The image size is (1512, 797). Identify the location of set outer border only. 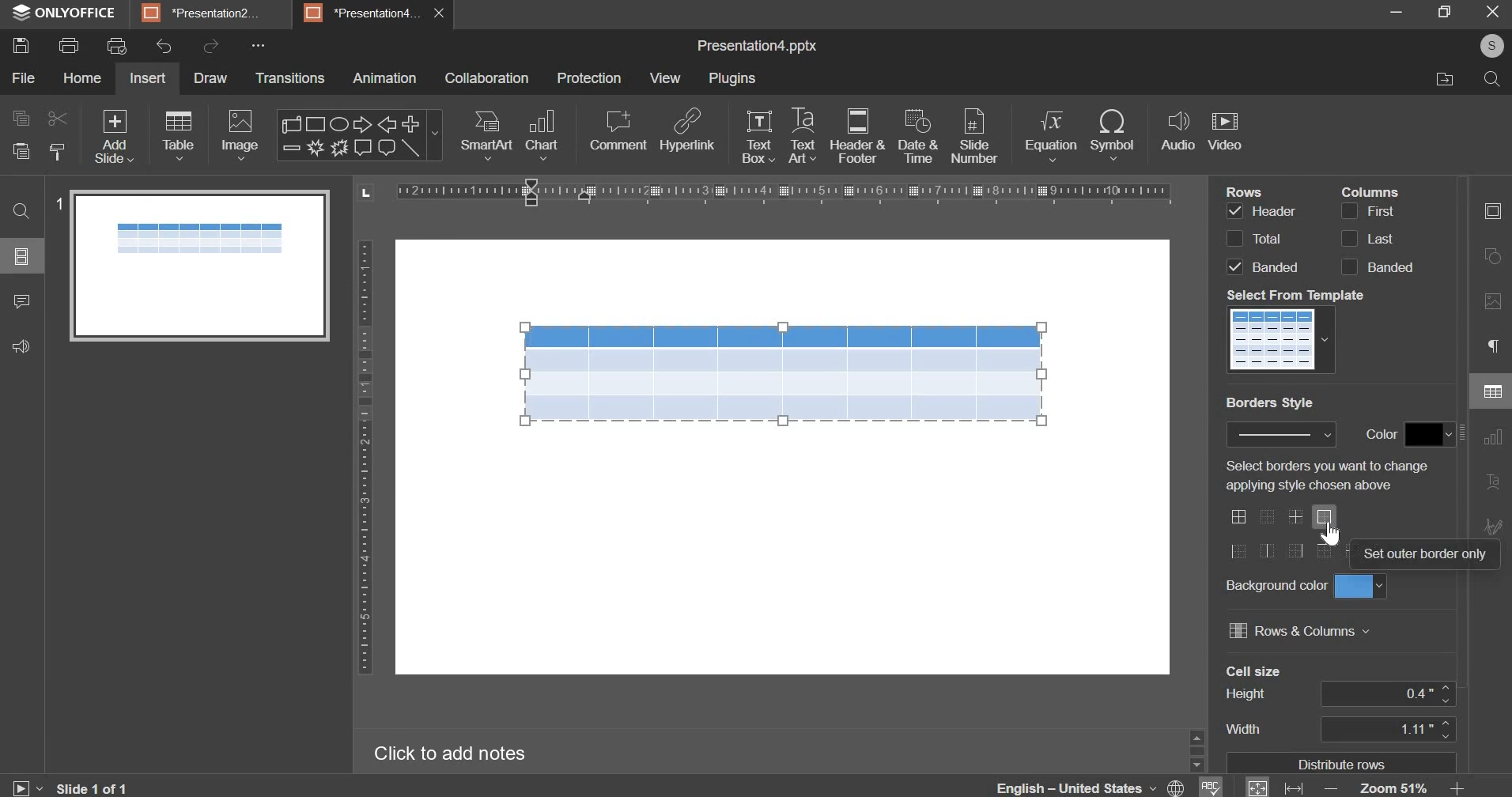
(1425, 556).